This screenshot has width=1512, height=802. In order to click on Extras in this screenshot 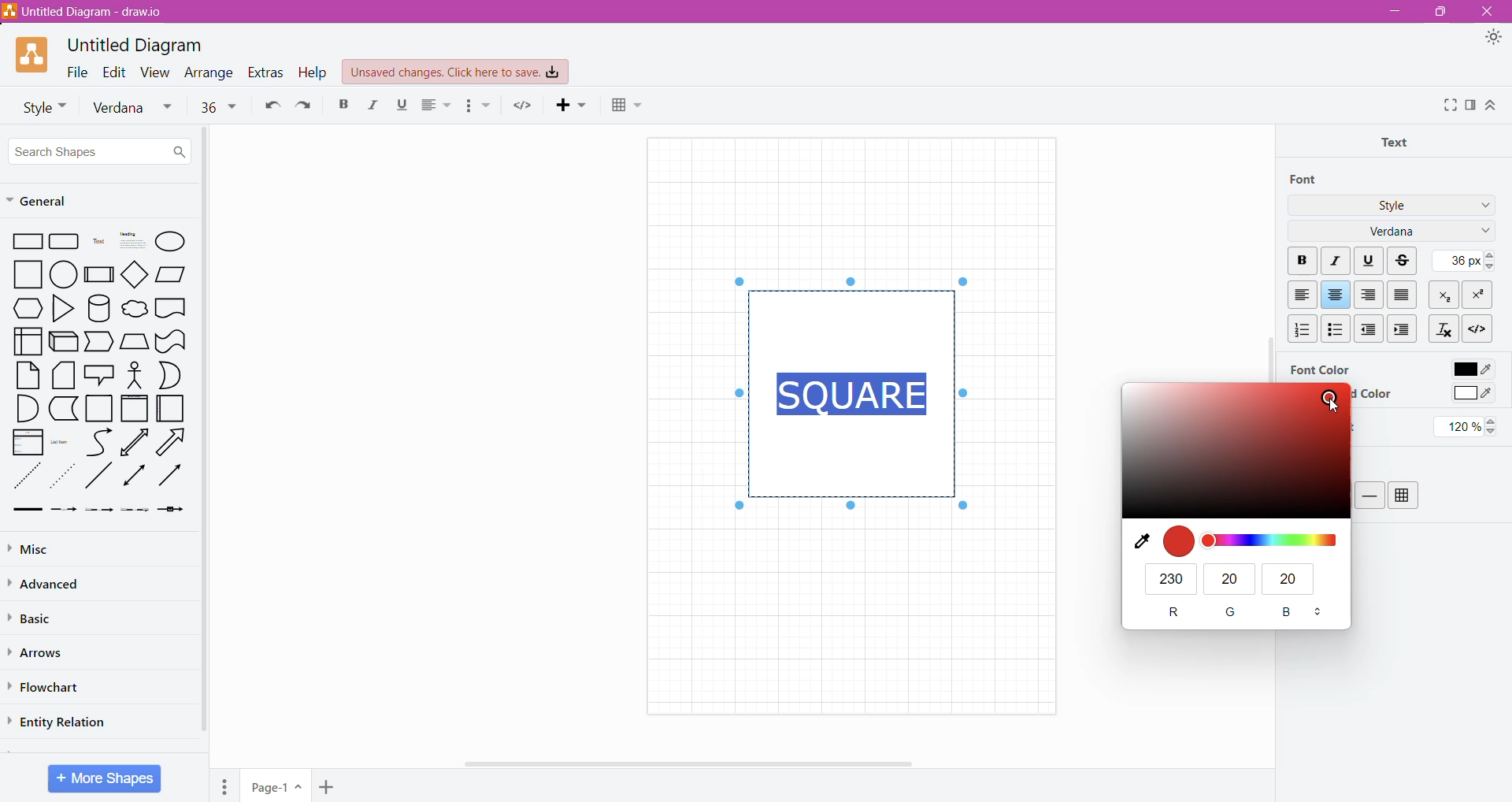, I will do `click(265, 72)`.